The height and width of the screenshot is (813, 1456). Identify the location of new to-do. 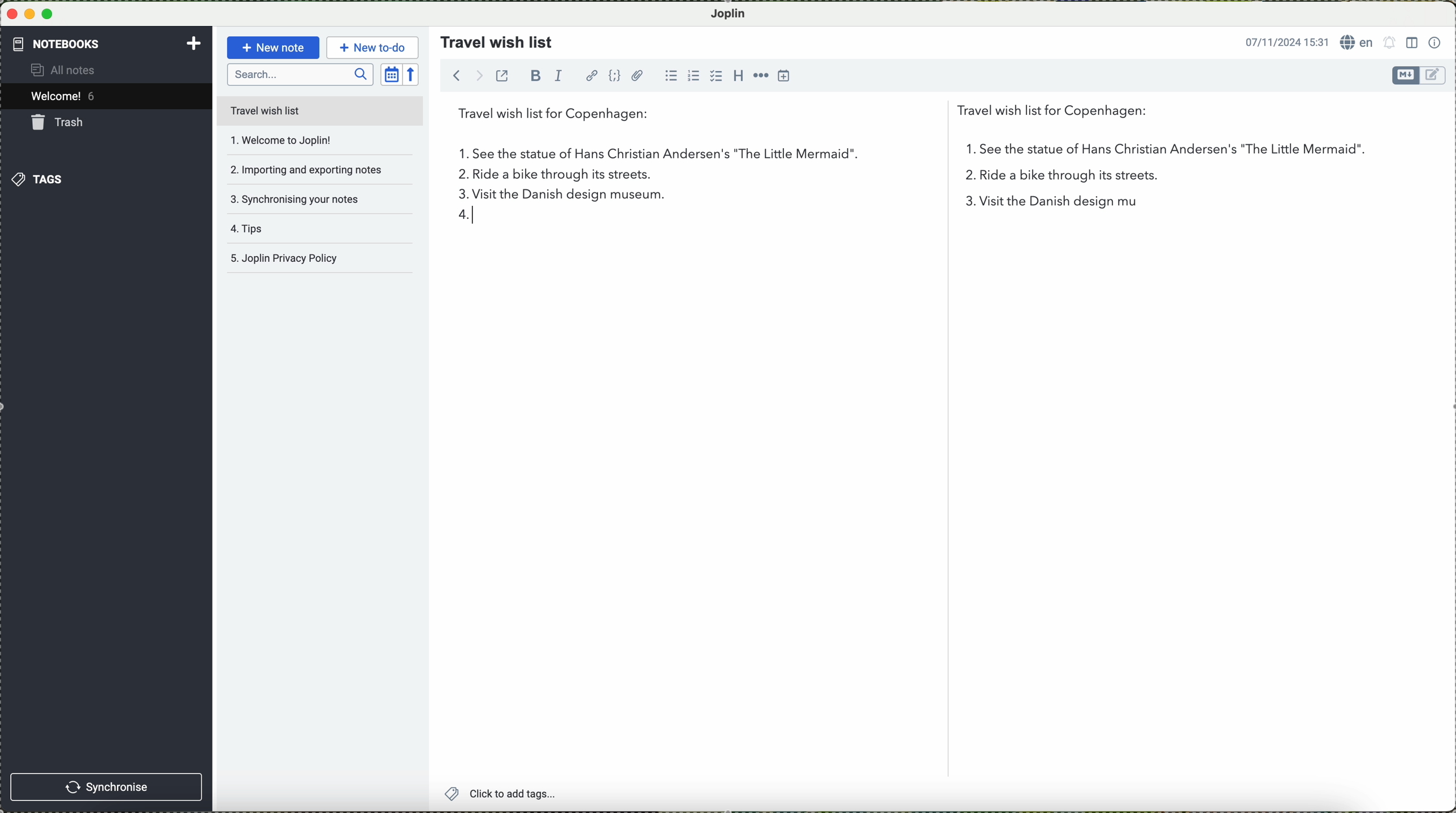
(372, 46).